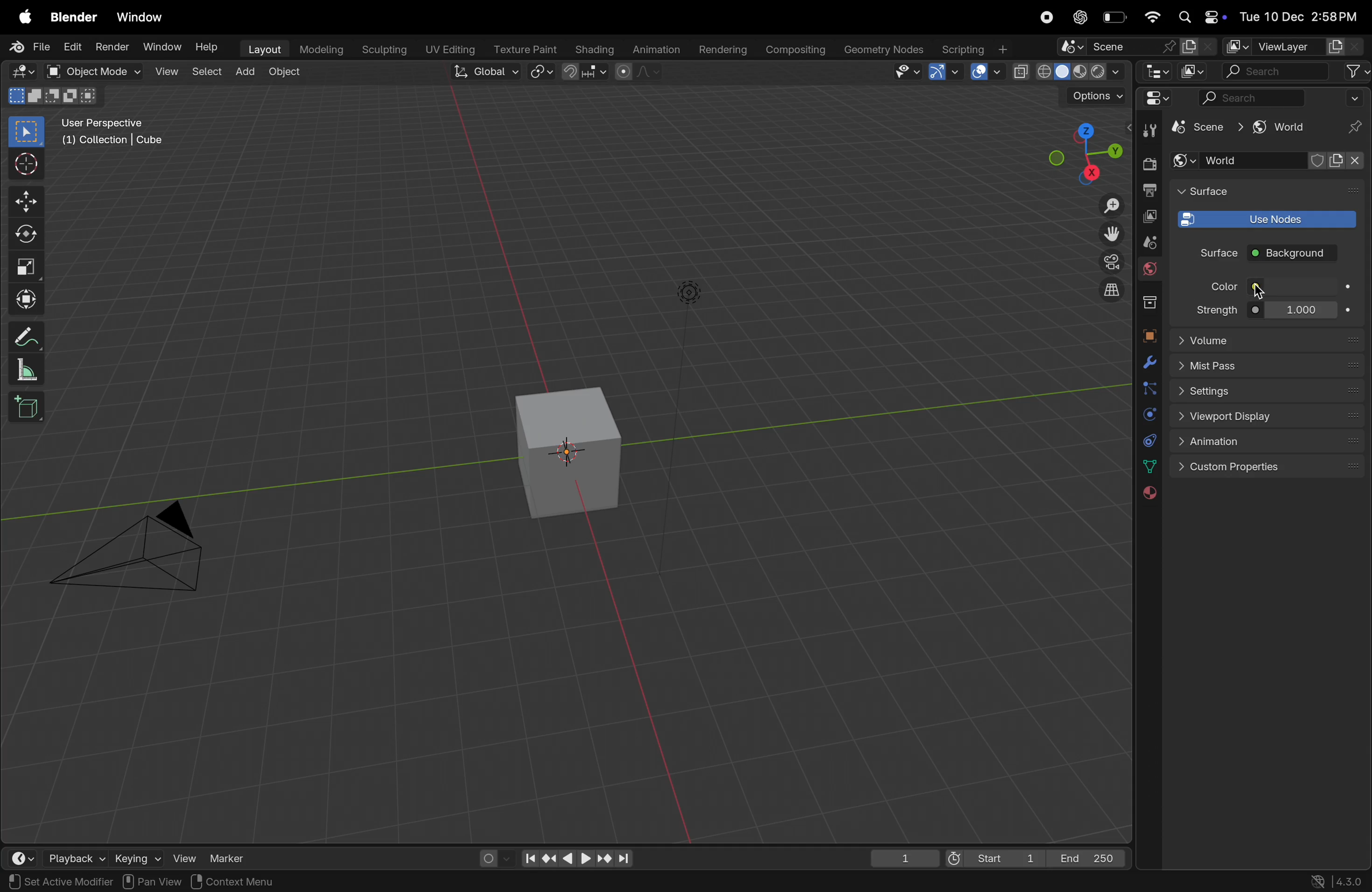 Image resolution: width=1372 pixels, height=892 pixels. I want to click on shield, so click(1320, 161).